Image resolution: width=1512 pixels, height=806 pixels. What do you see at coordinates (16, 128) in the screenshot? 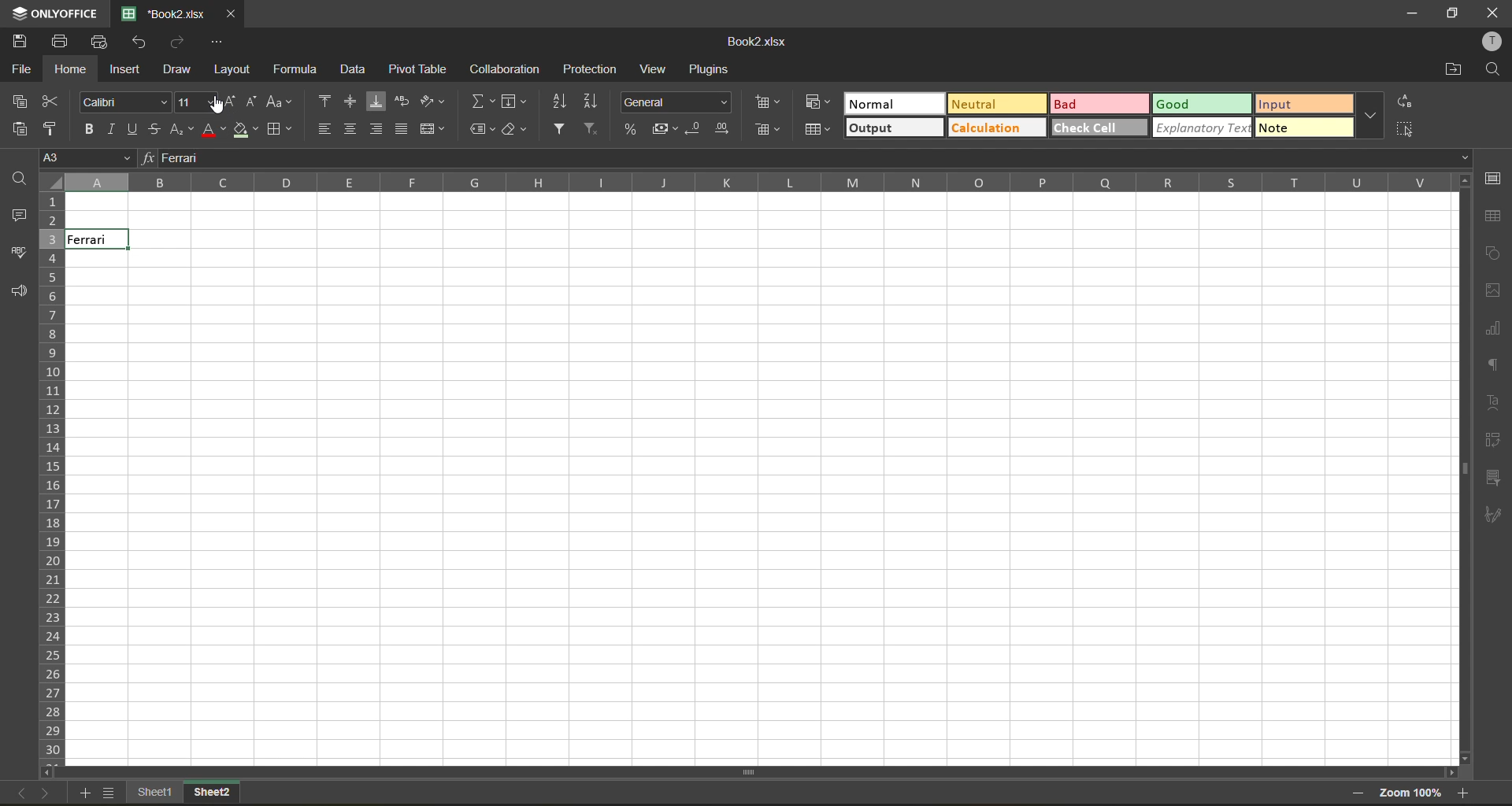
I see `paste` at bounding box center [16, 128].